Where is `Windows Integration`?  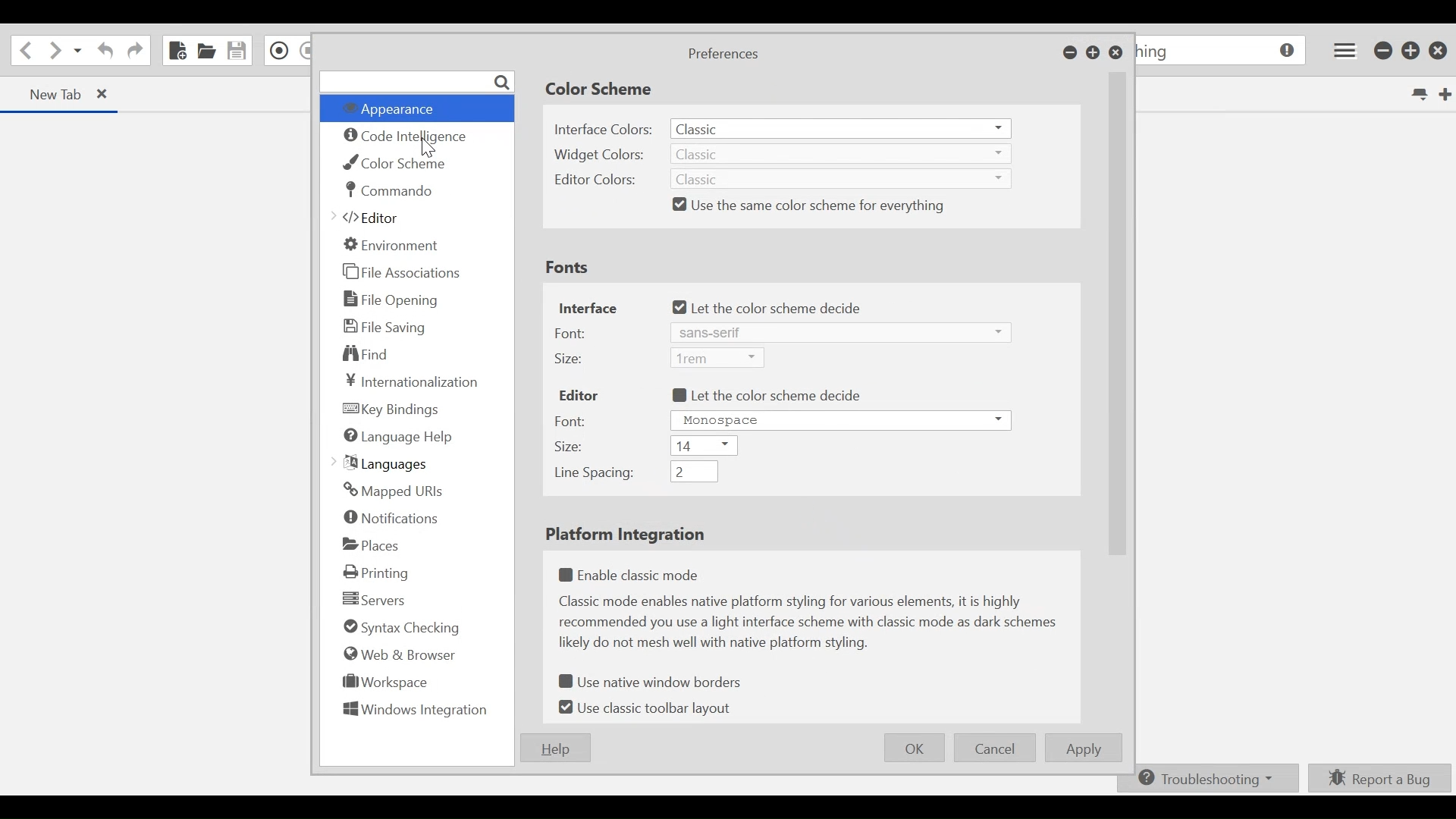 Windows Integration is located at coordinates (415, 713).